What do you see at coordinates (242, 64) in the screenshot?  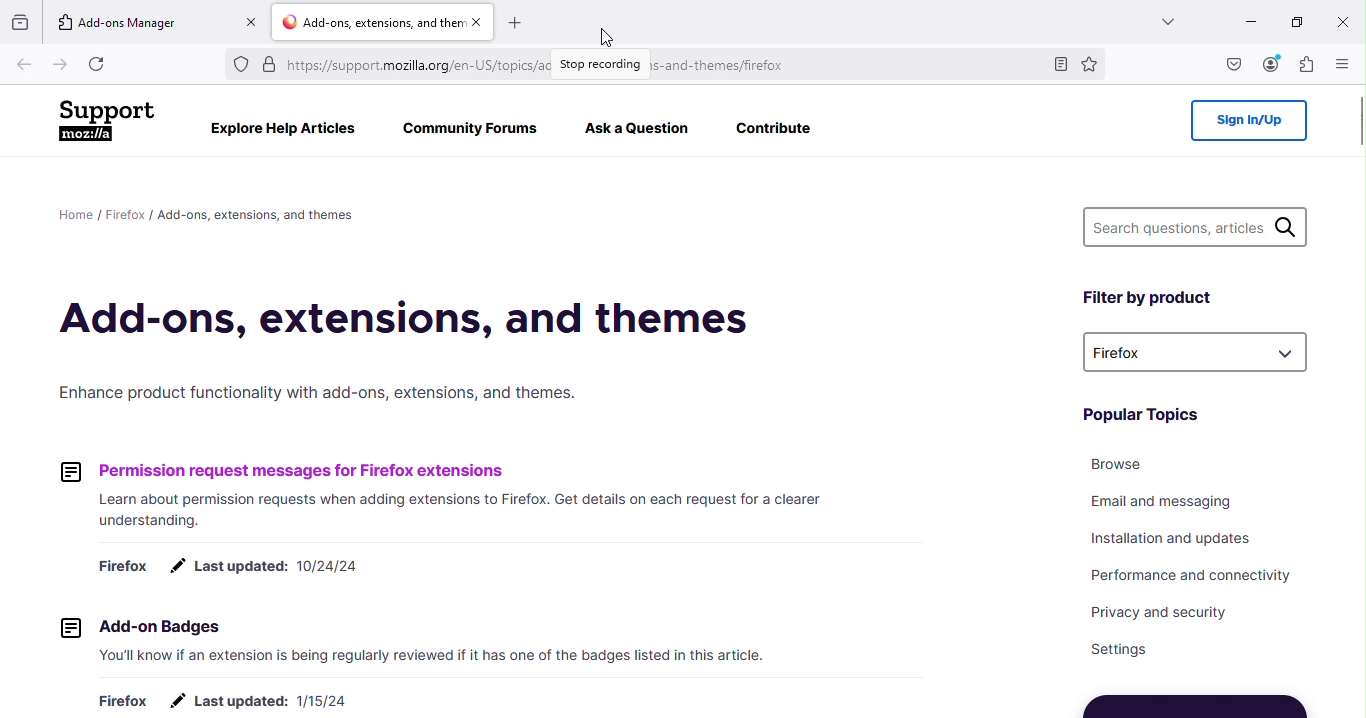 I see `Ads tracker` at bounding box center [242, 64].